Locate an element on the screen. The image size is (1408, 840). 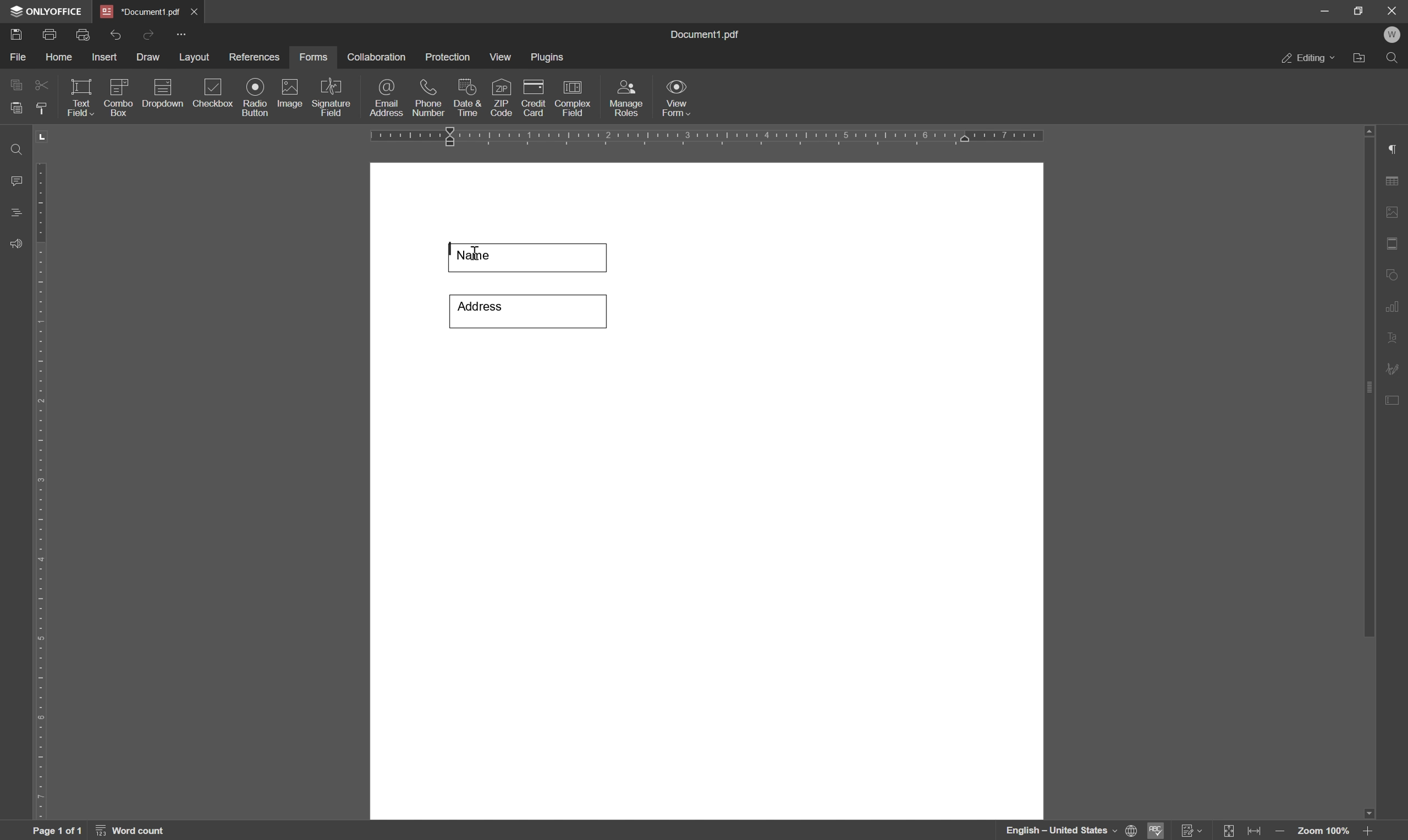
zoom in is located at coordinates (1366, 831).